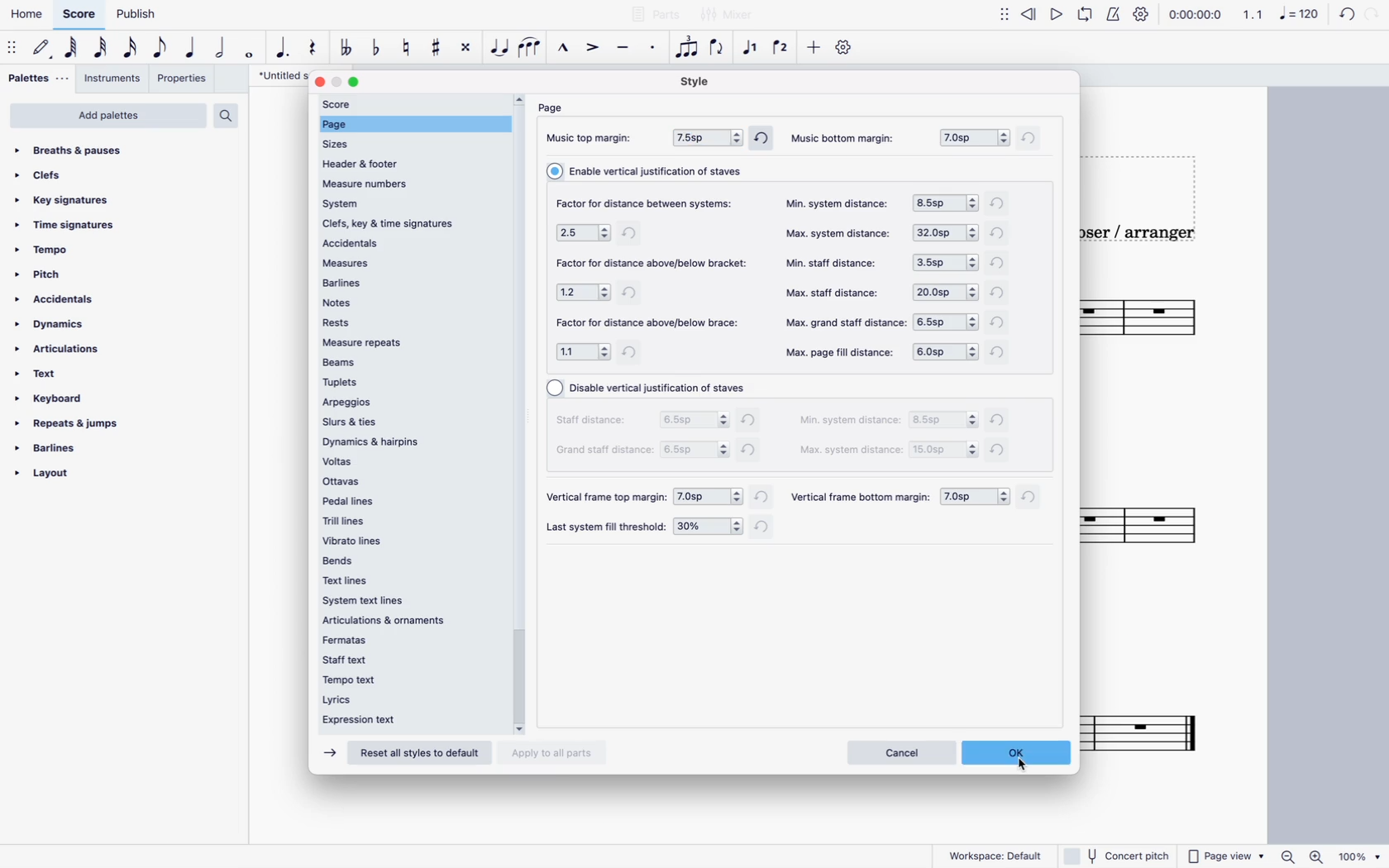  I want to click on text, so click(45, 375).